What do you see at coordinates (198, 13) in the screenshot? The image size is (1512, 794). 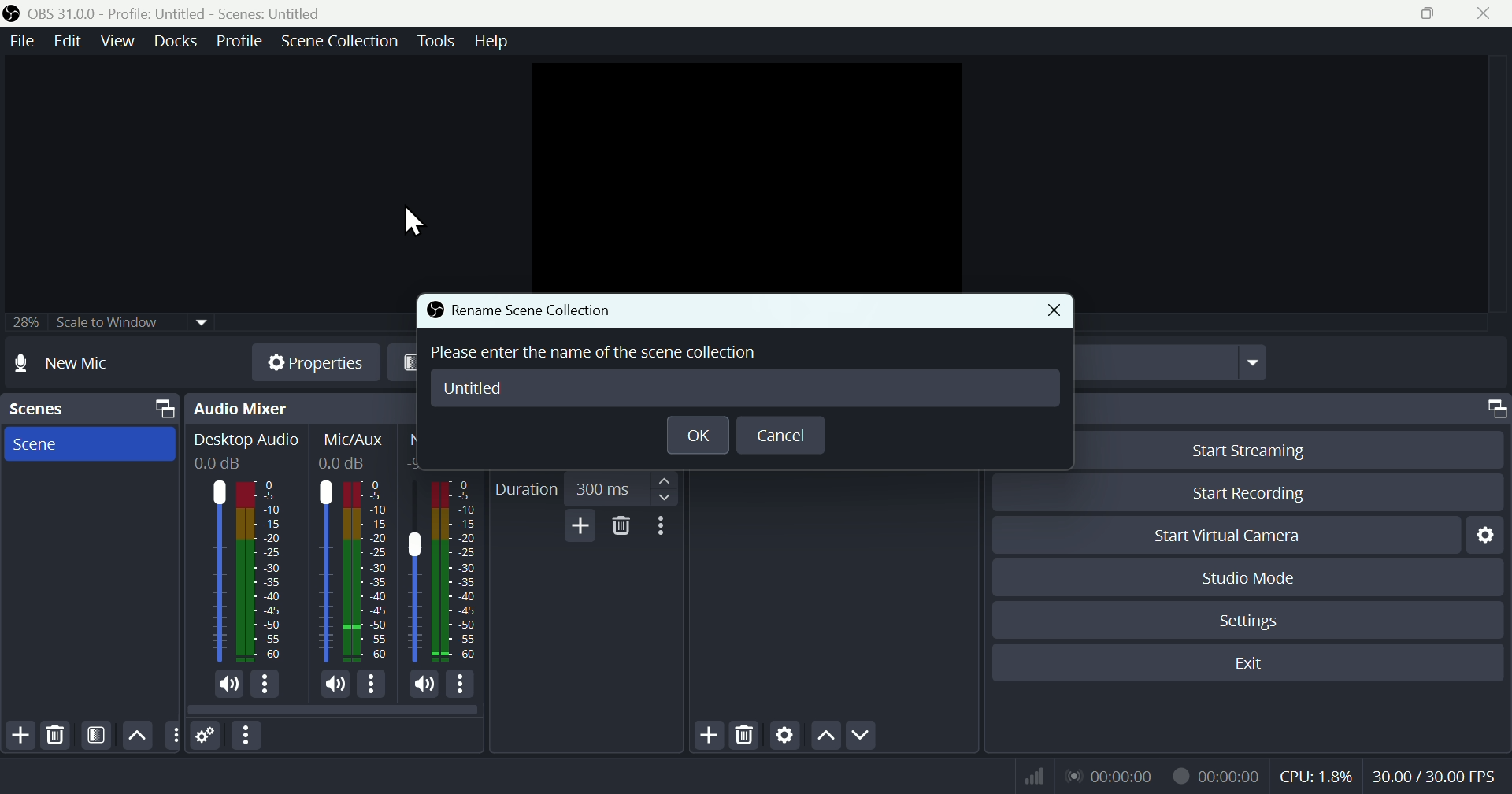 I see `OBS 31 .0 .0 profile: untitled scenes: untitled` at bounding box center [198, 13].